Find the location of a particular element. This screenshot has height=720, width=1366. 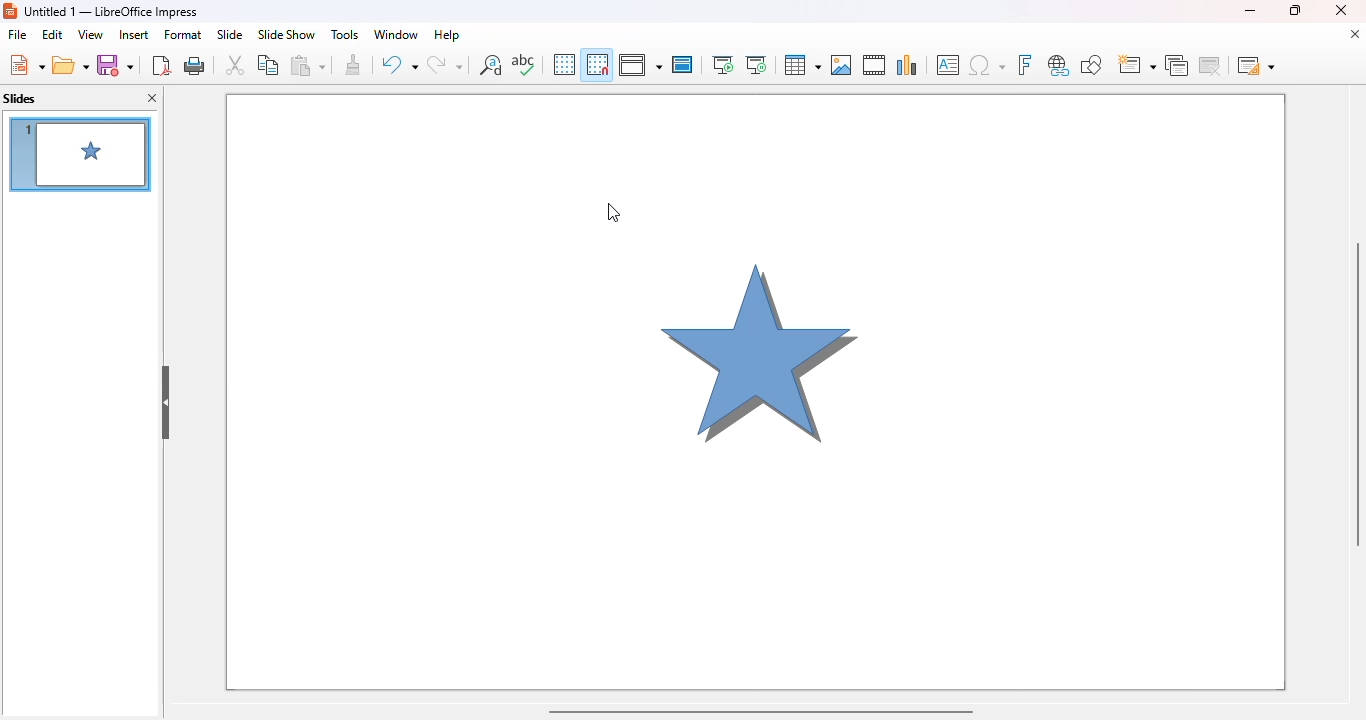

display views is located at coordinates (640, 64).